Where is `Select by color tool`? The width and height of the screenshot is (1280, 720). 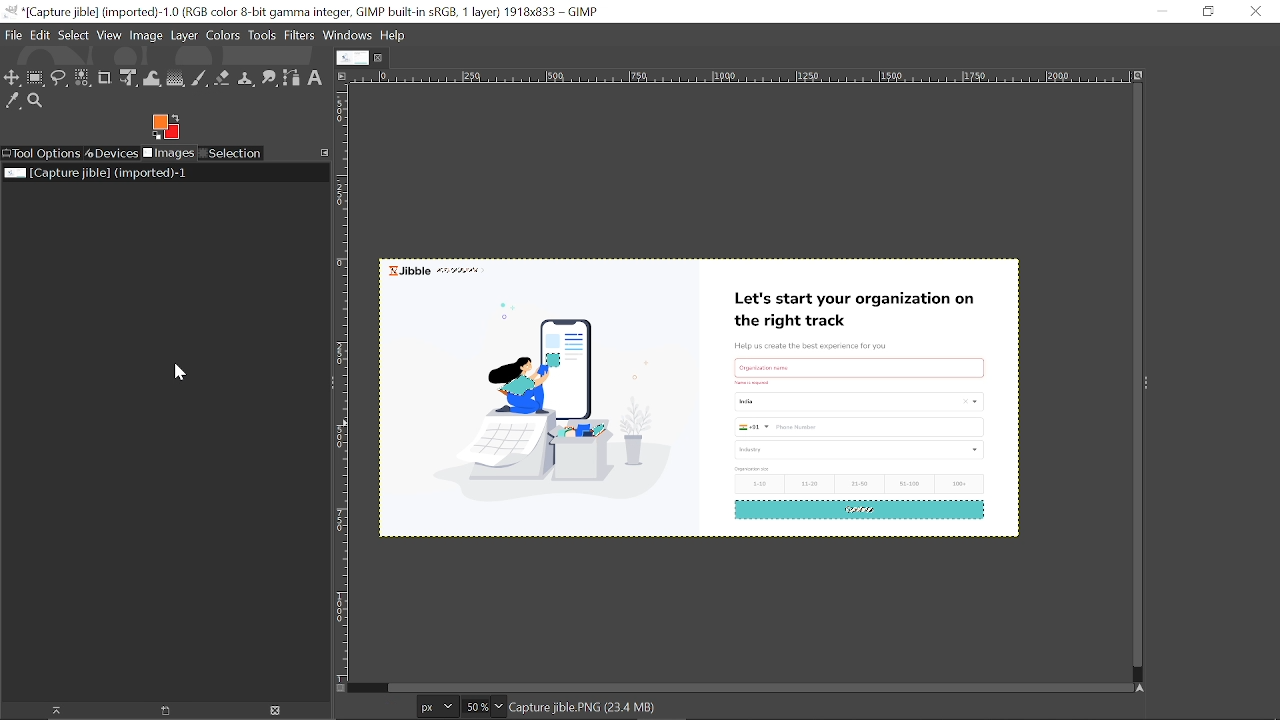
Select by color tool is located at coordinates (81, 77).